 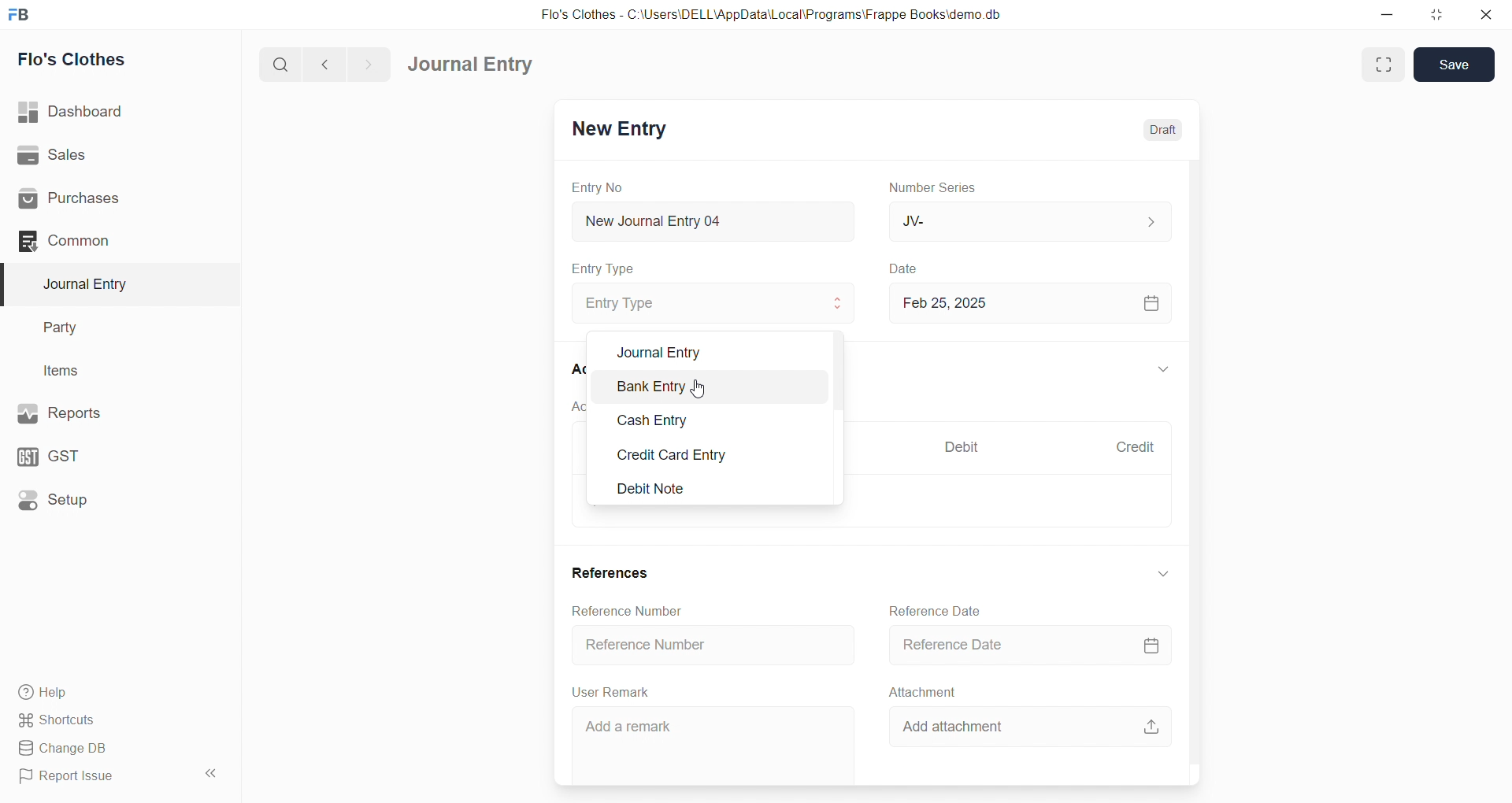 What do you see at coordinates (906, 269) in the screenshot?
I see `Date` at bounding box center [906, 269].